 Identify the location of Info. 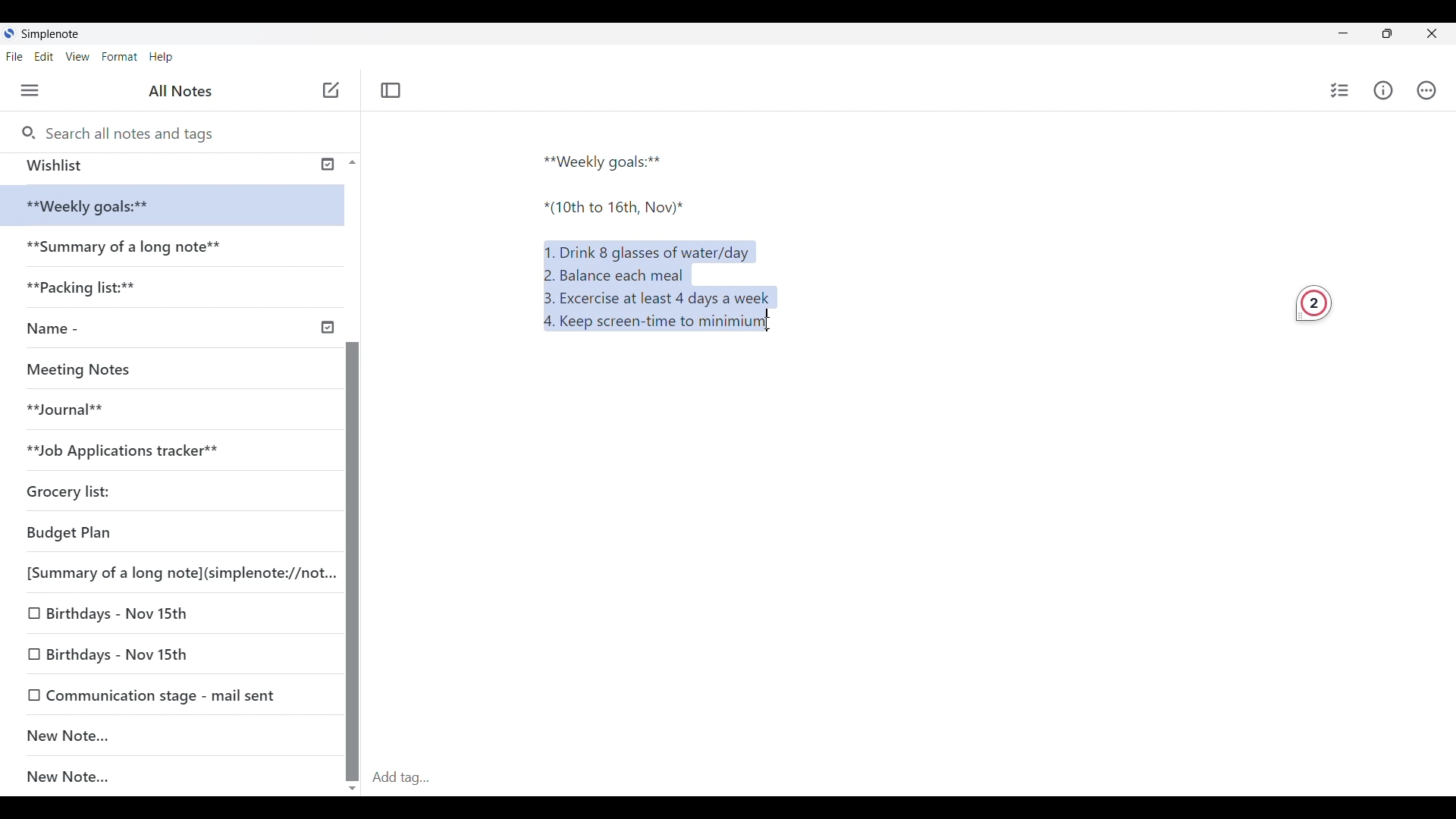
(1385, 91).